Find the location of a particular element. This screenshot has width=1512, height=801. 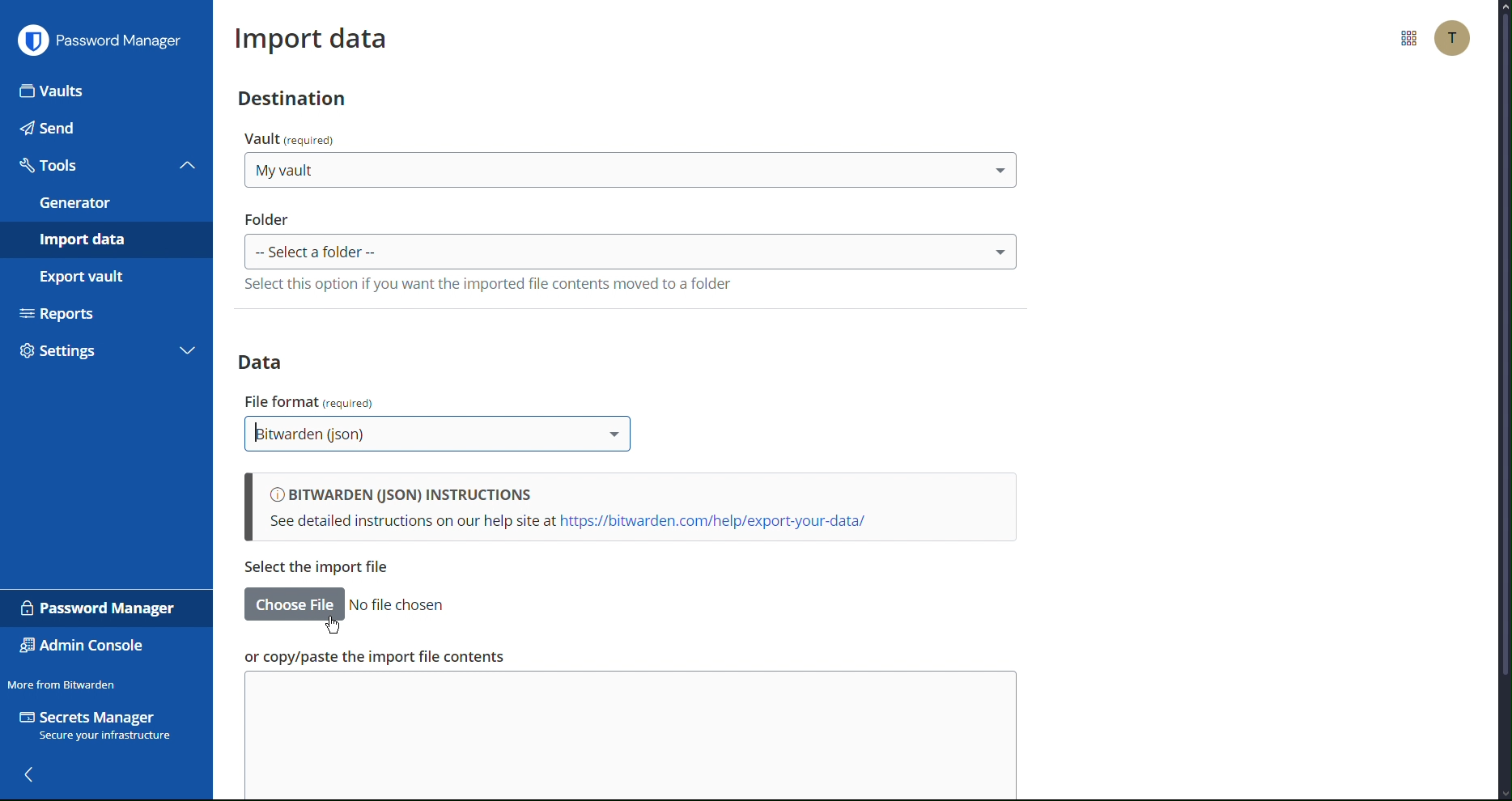

Send is located at coordinates (104, 128).